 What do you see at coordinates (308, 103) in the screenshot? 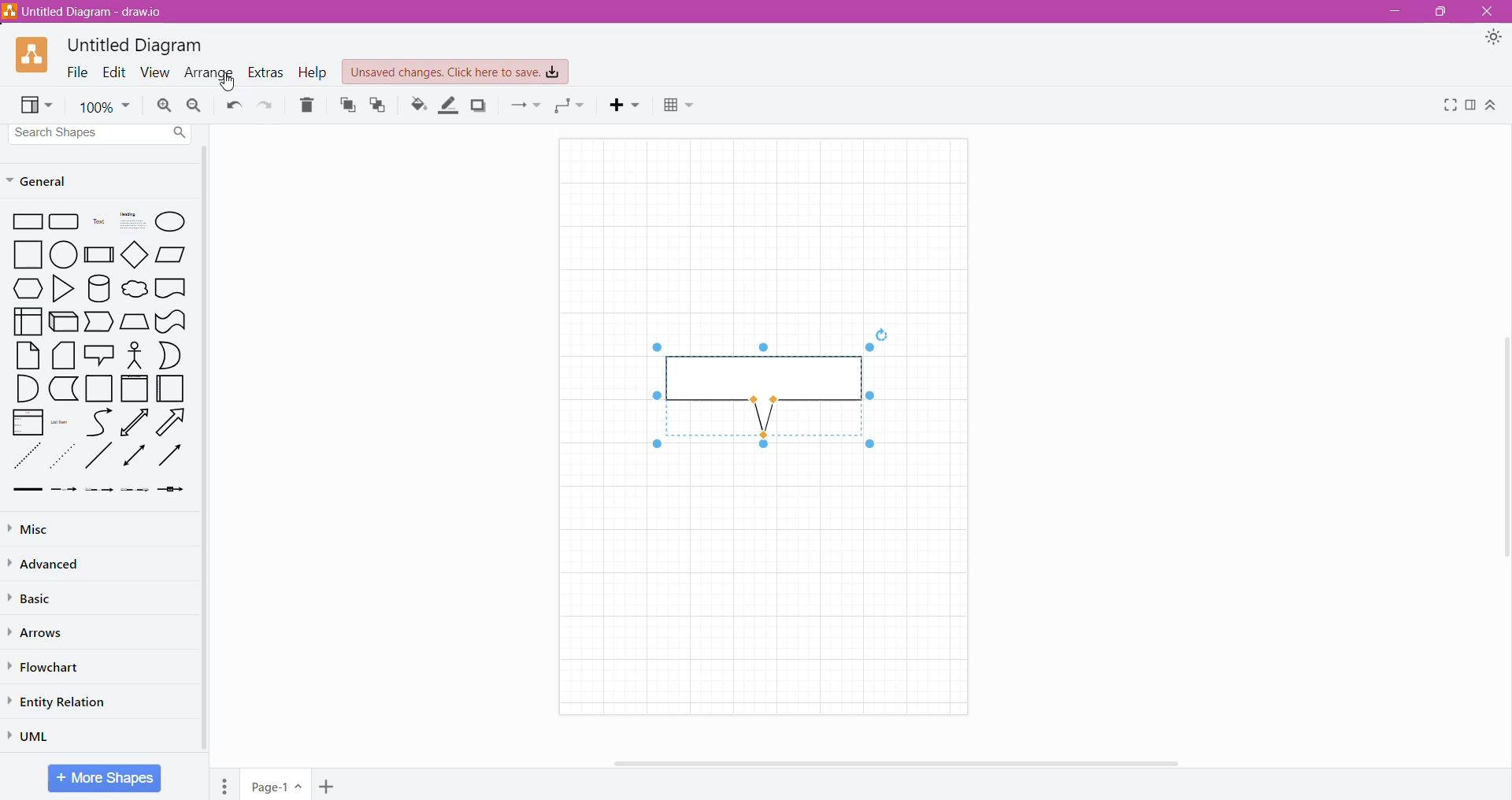
I see `Delete` at bounding box center [308, 103].